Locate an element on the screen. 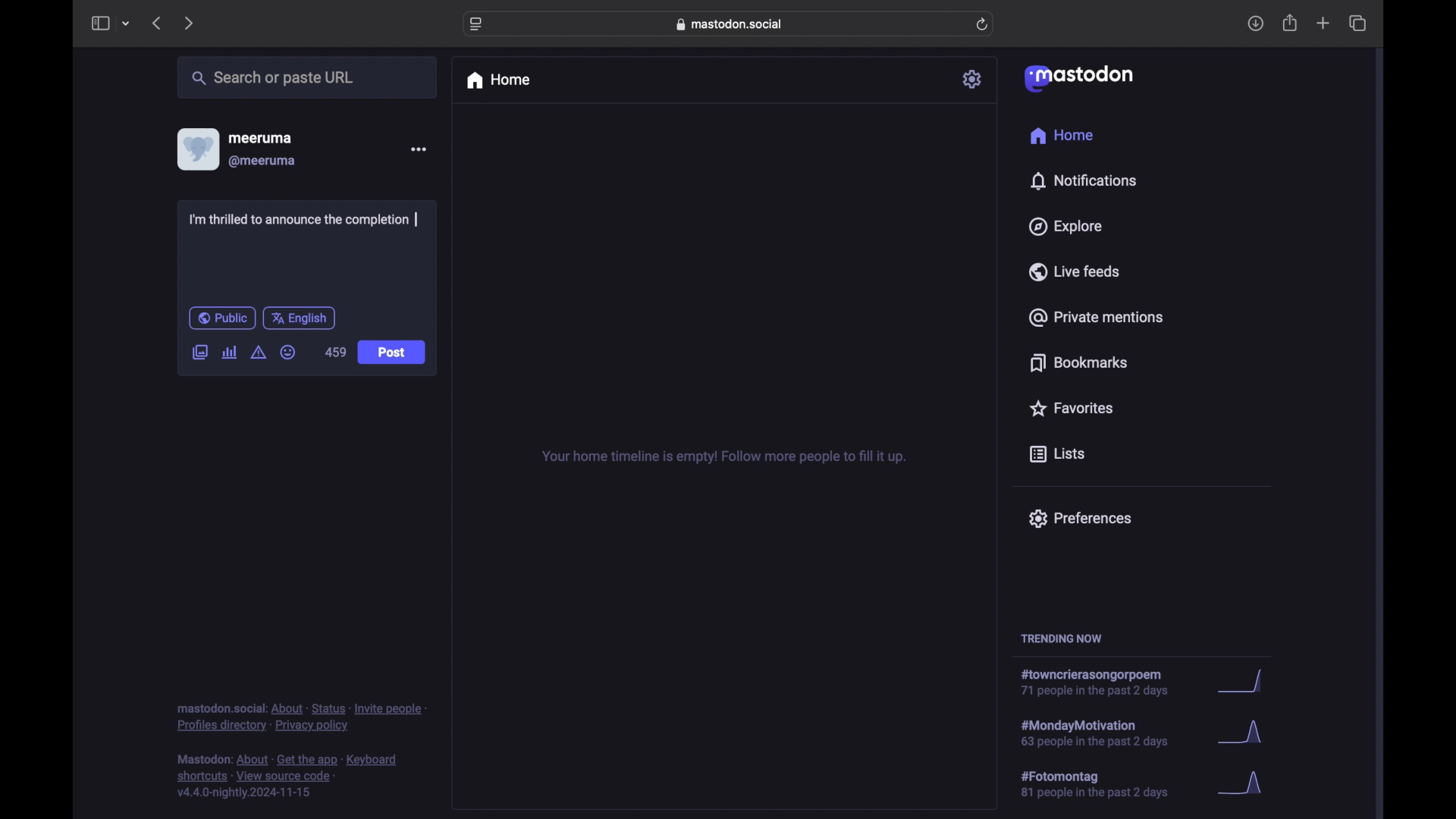 The image size is (1456, 819). lists is located at coordinates (1057, 455).